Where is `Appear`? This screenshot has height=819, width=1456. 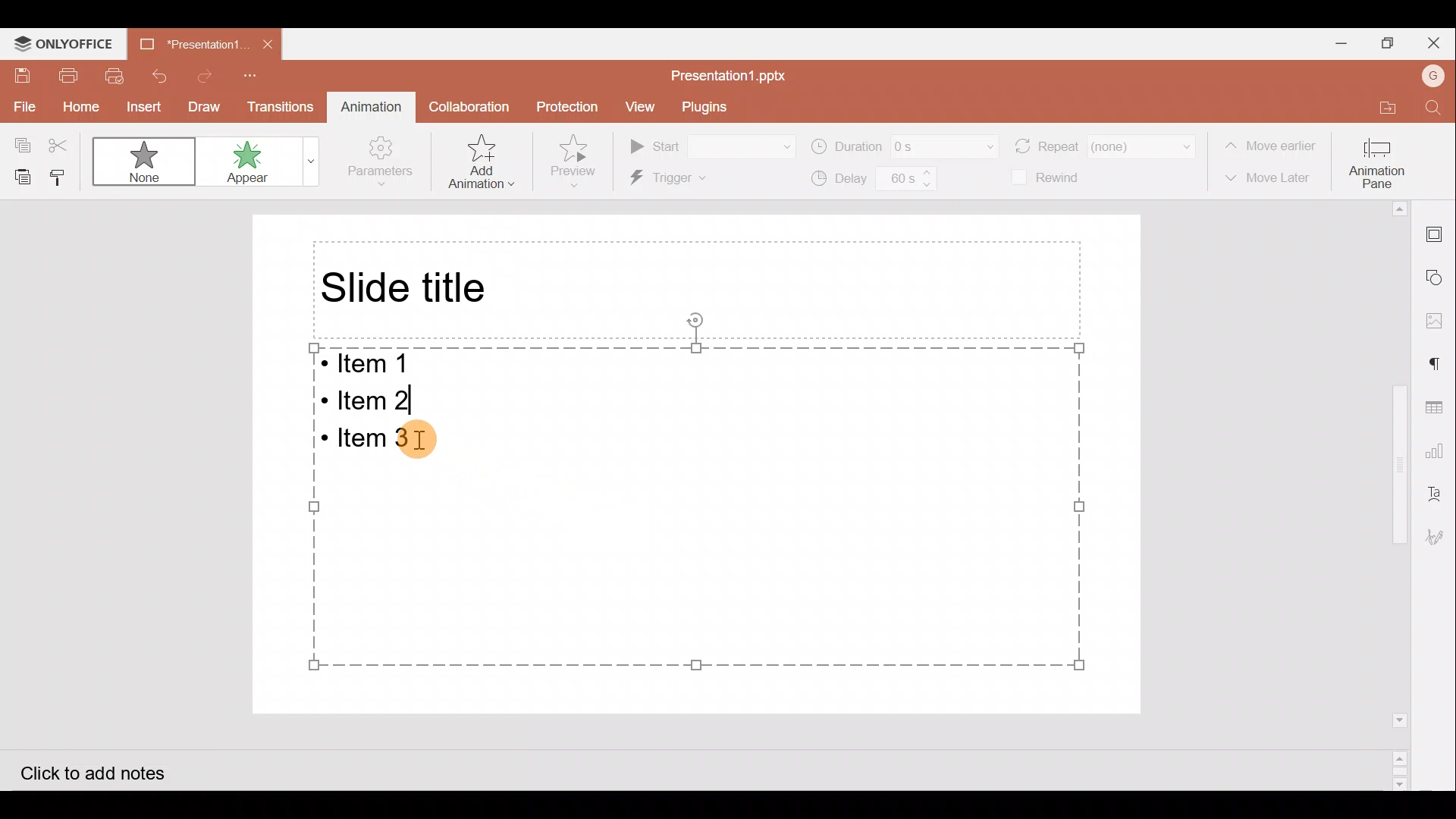 Appear is located at coordinates (261, 165).